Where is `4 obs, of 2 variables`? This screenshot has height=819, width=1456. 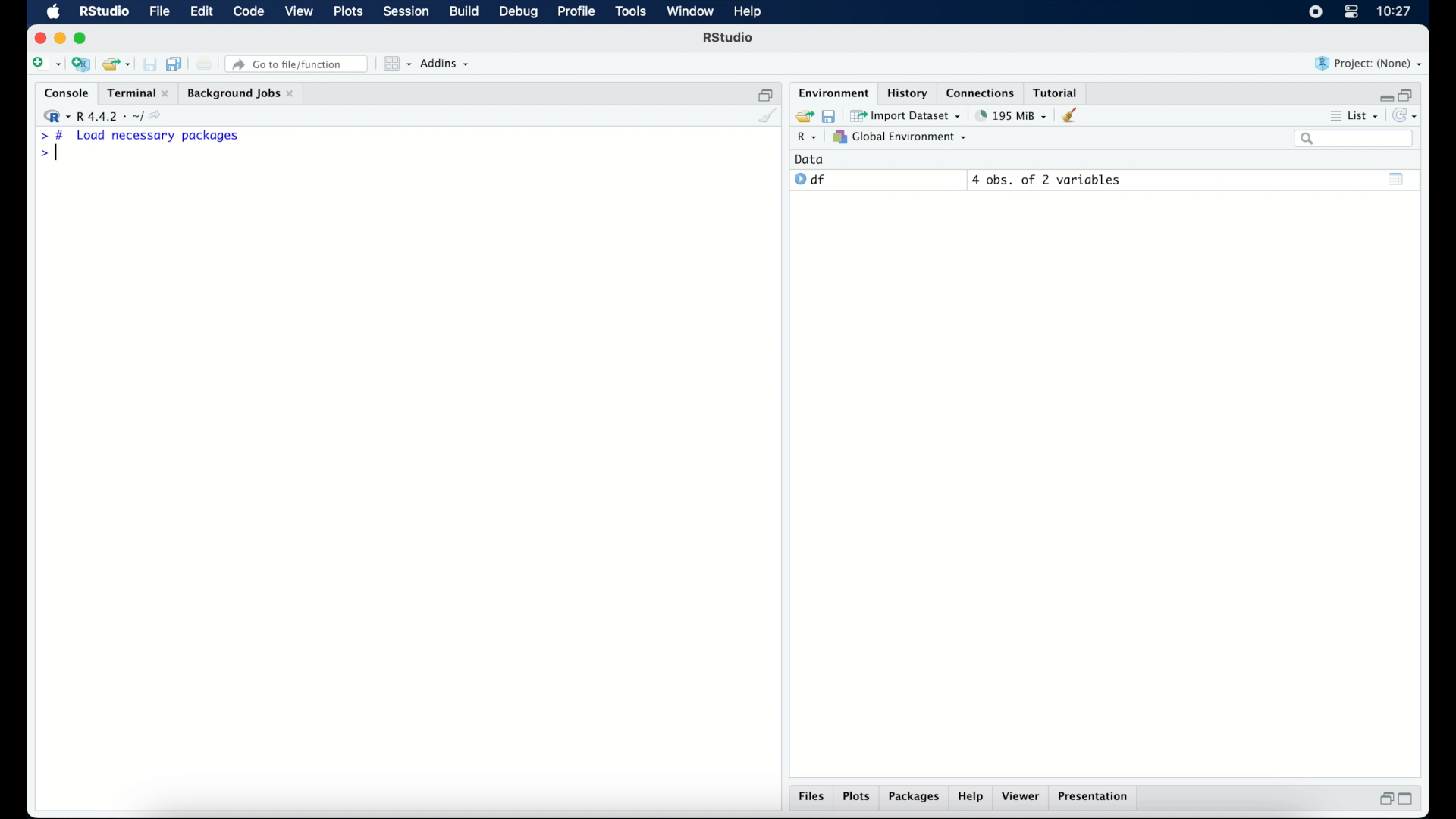 4 obs, of 2 variables is located at coordinates (1046, 180).